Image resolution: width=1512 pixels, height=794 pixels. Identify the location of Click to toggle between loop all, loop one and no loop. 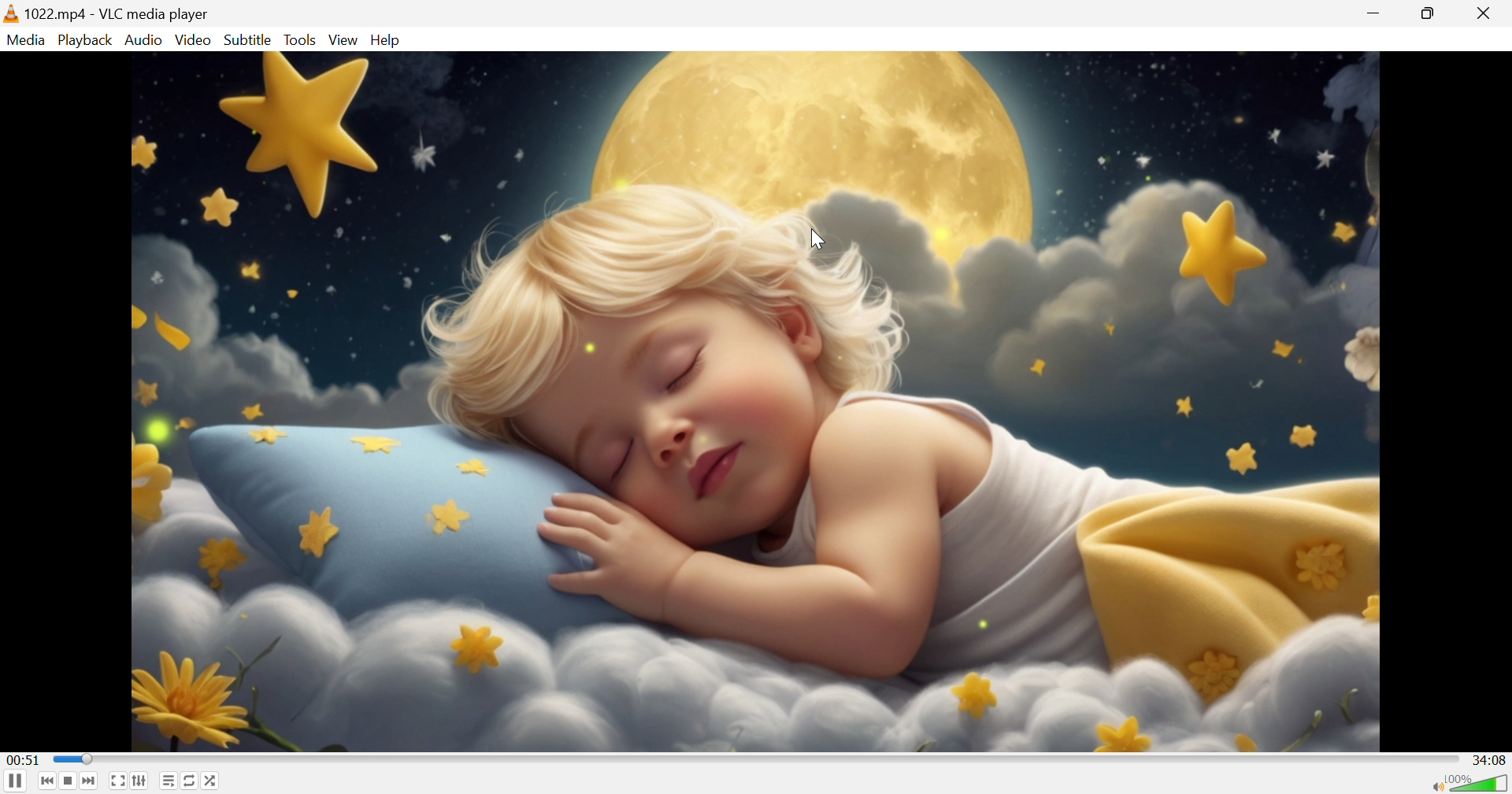
(190, 782).